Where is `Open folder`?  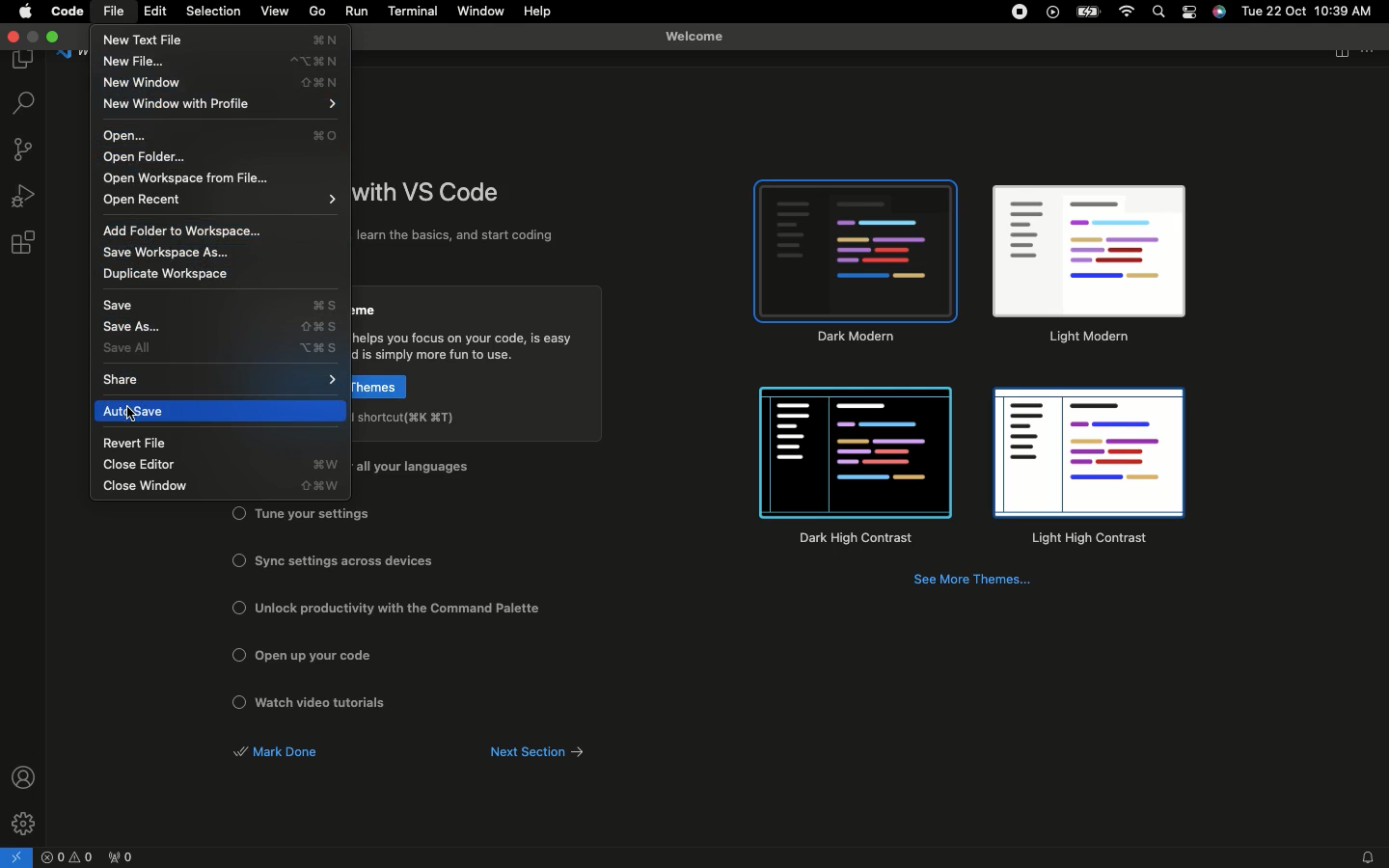
Open folder is located at coordinates (149, 158).